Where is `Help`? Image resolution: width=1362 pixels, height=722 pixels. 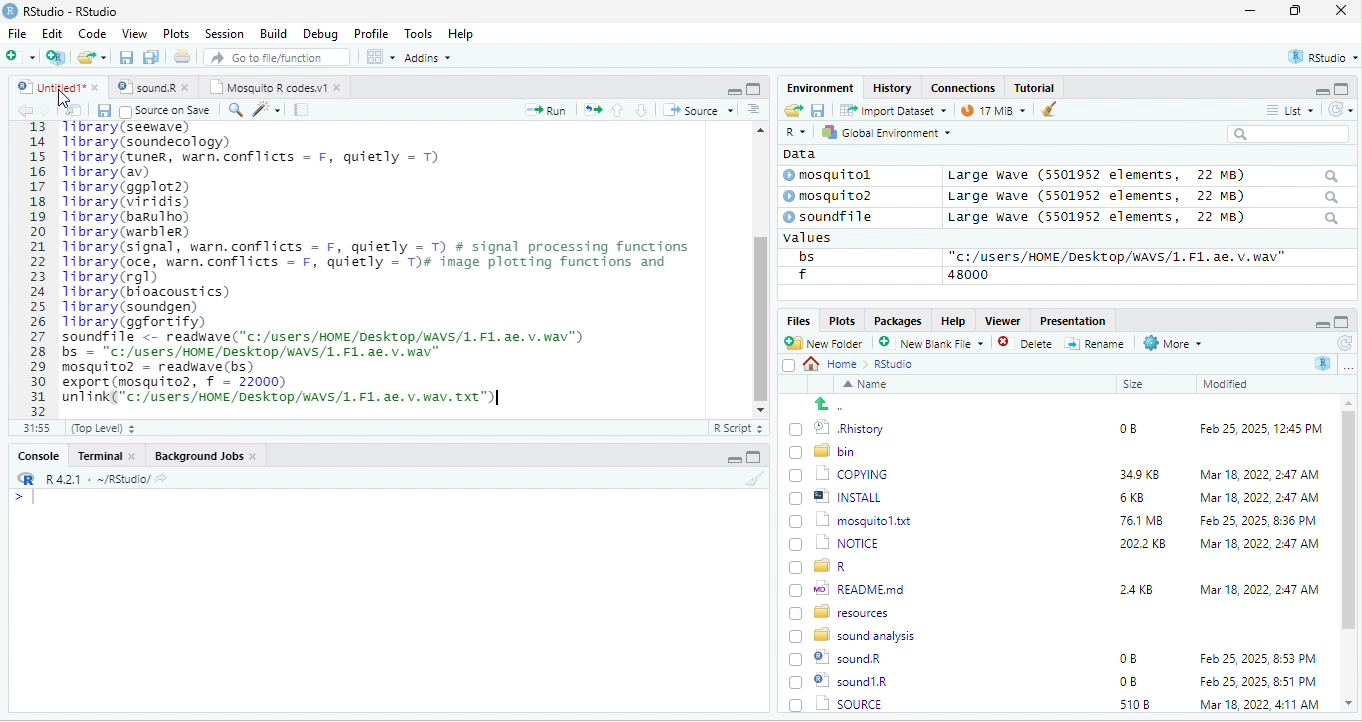
Help is located at coordinates (462, 35).